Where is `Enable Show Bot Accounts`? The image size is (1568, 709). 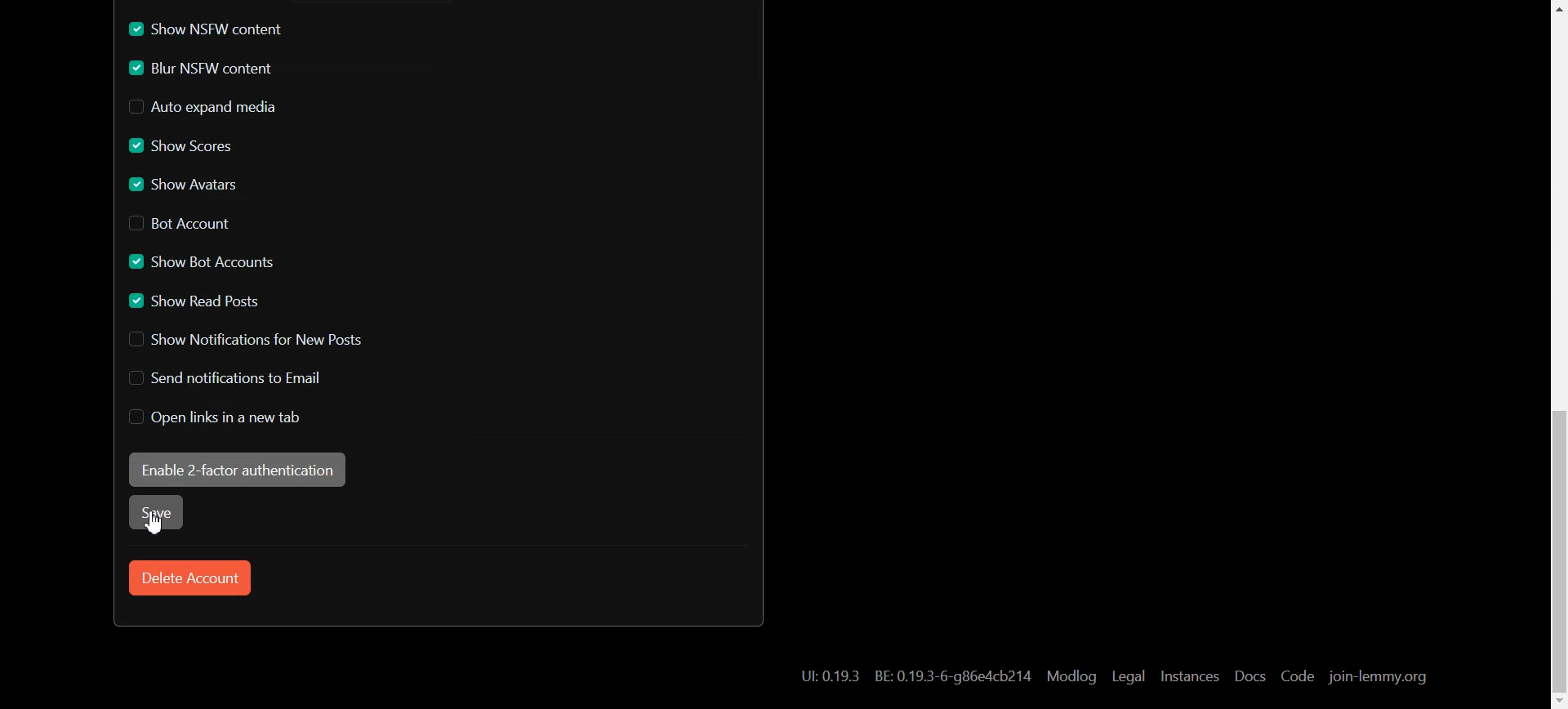 Enable Show Bot Accounts is located at coordinates (203, 262).